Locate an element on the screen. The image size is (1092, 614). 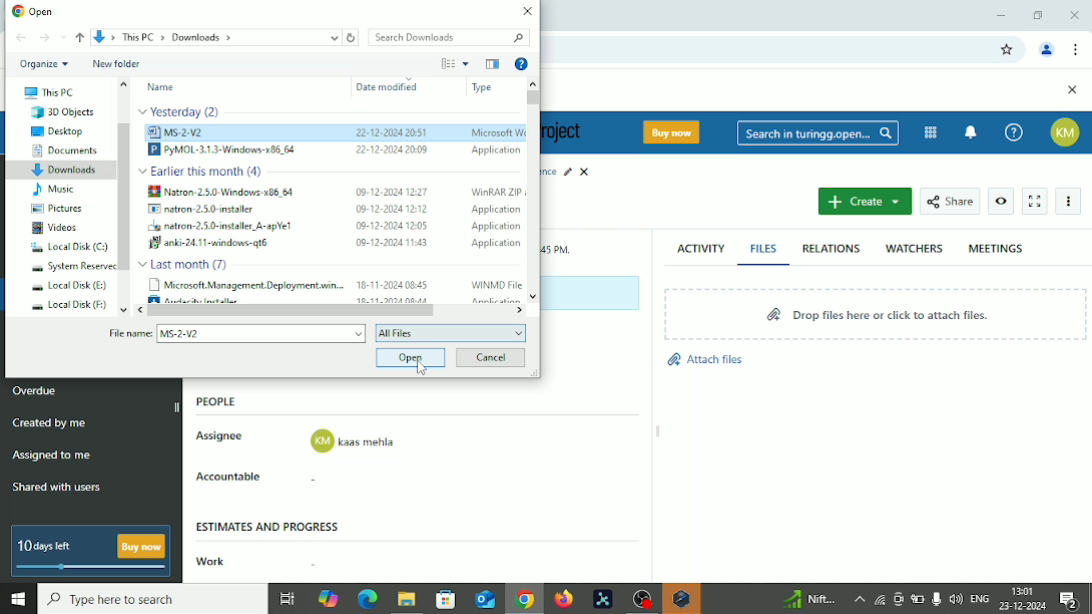
Mic is located at coordinates (936, 598).